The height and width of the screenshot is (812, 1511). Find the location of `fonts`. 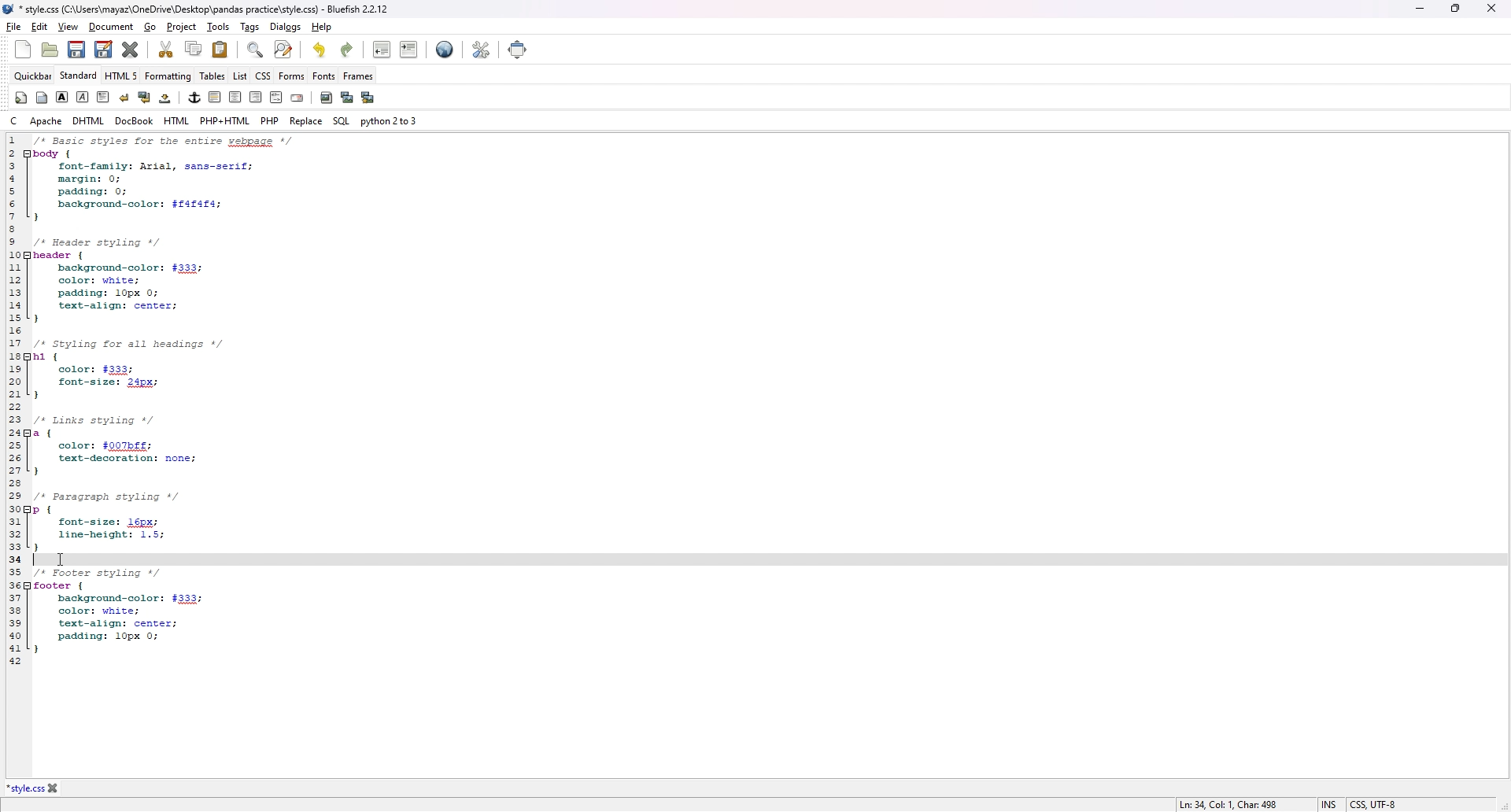

fonts is located at coordinates (323, 76).